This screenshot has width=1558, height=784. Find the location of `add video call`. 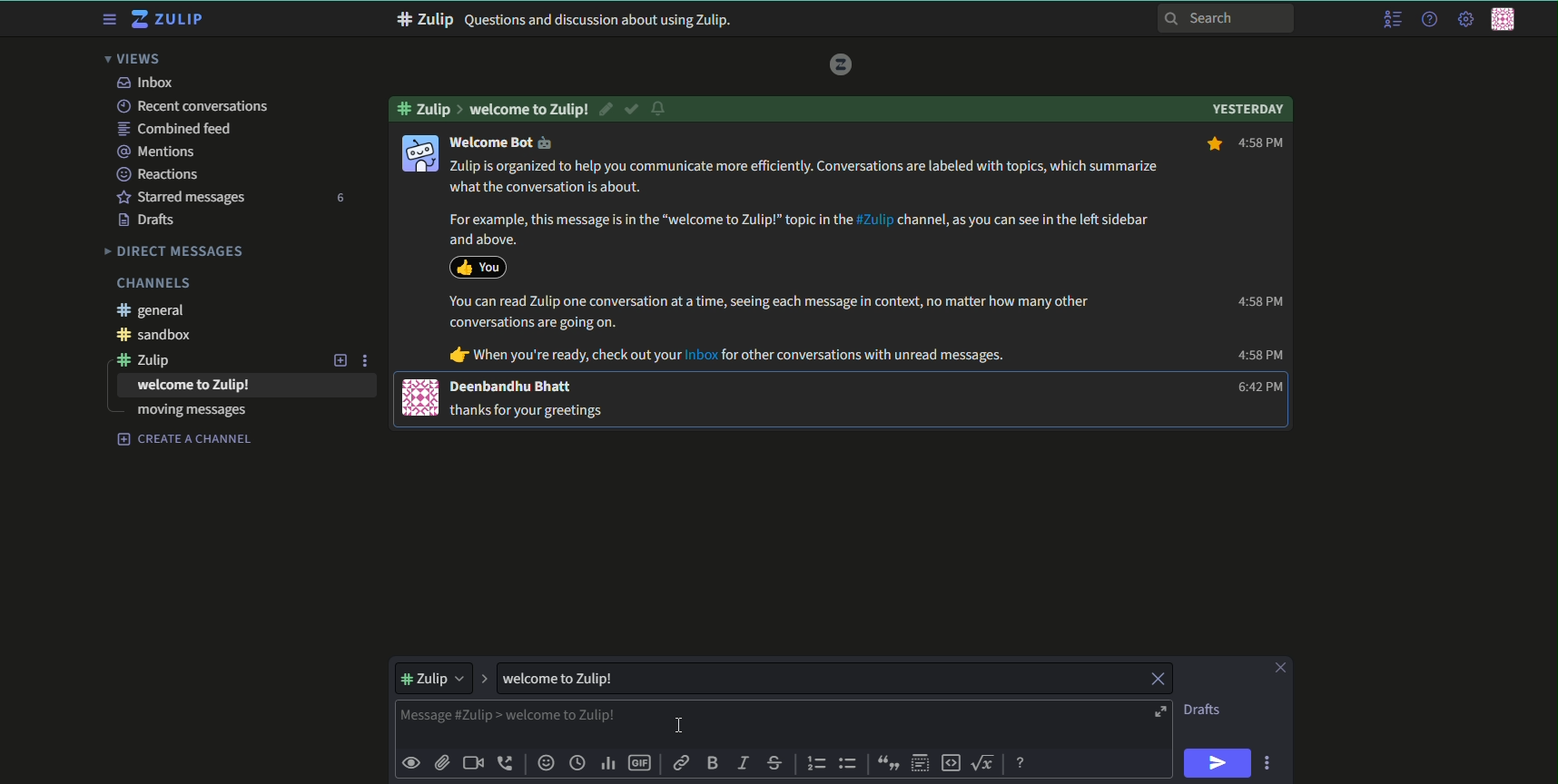

add video call is located at coordinates (473, 763).